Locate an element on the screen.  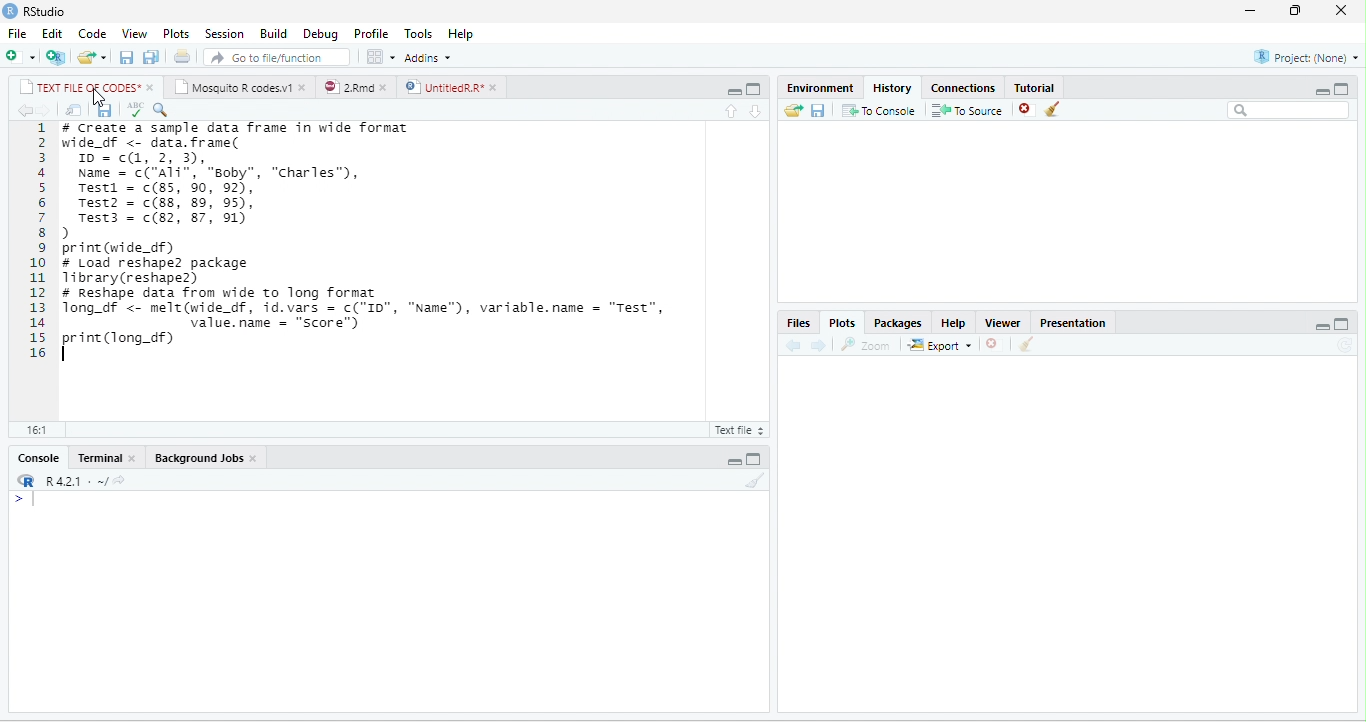
up is located at coordinates (730, 112).